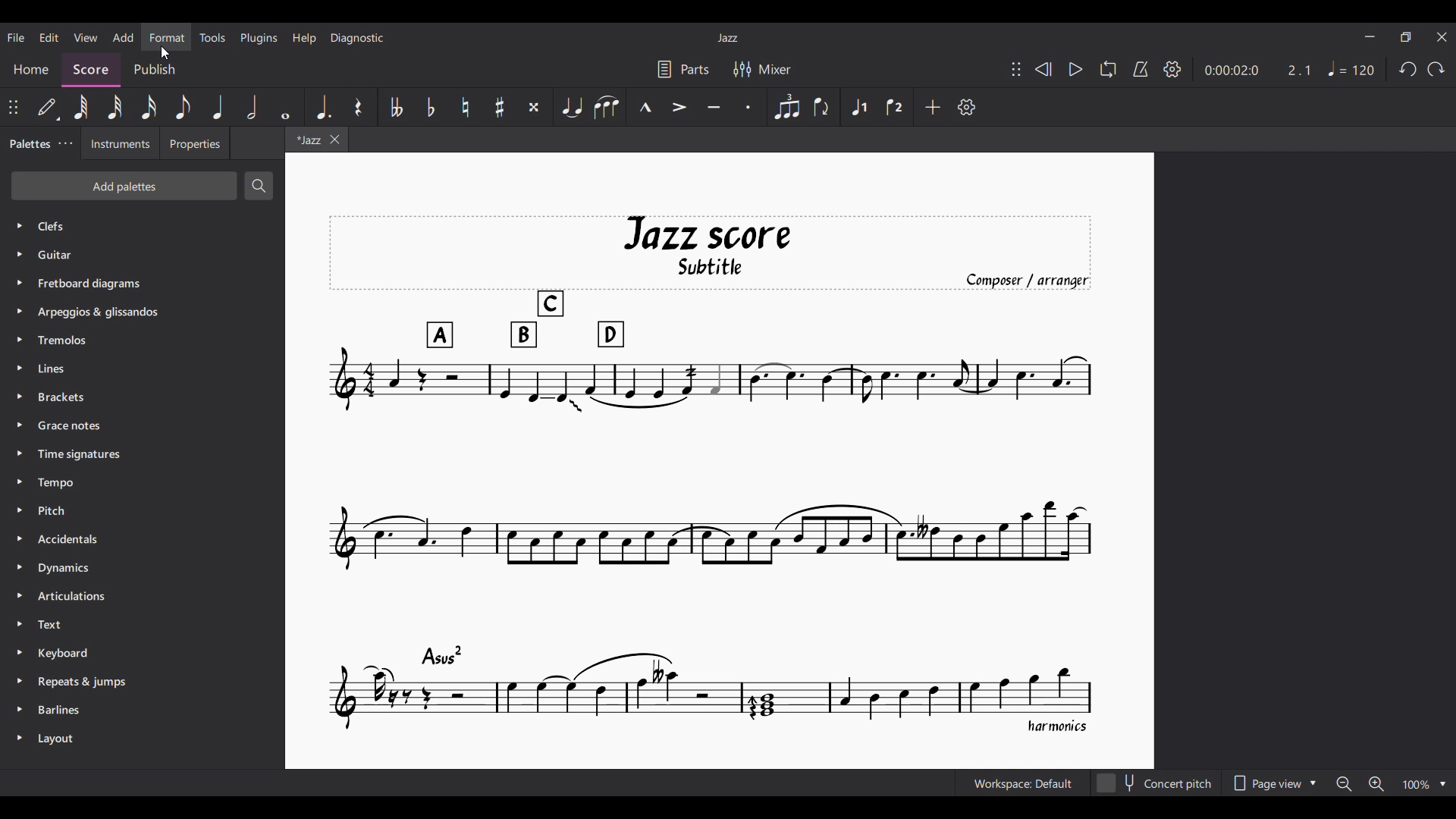 This screenshot has width=1456, height=819. Describe the element at coordinates (13, 107) in the screenshot. I see `Change position` at that location.